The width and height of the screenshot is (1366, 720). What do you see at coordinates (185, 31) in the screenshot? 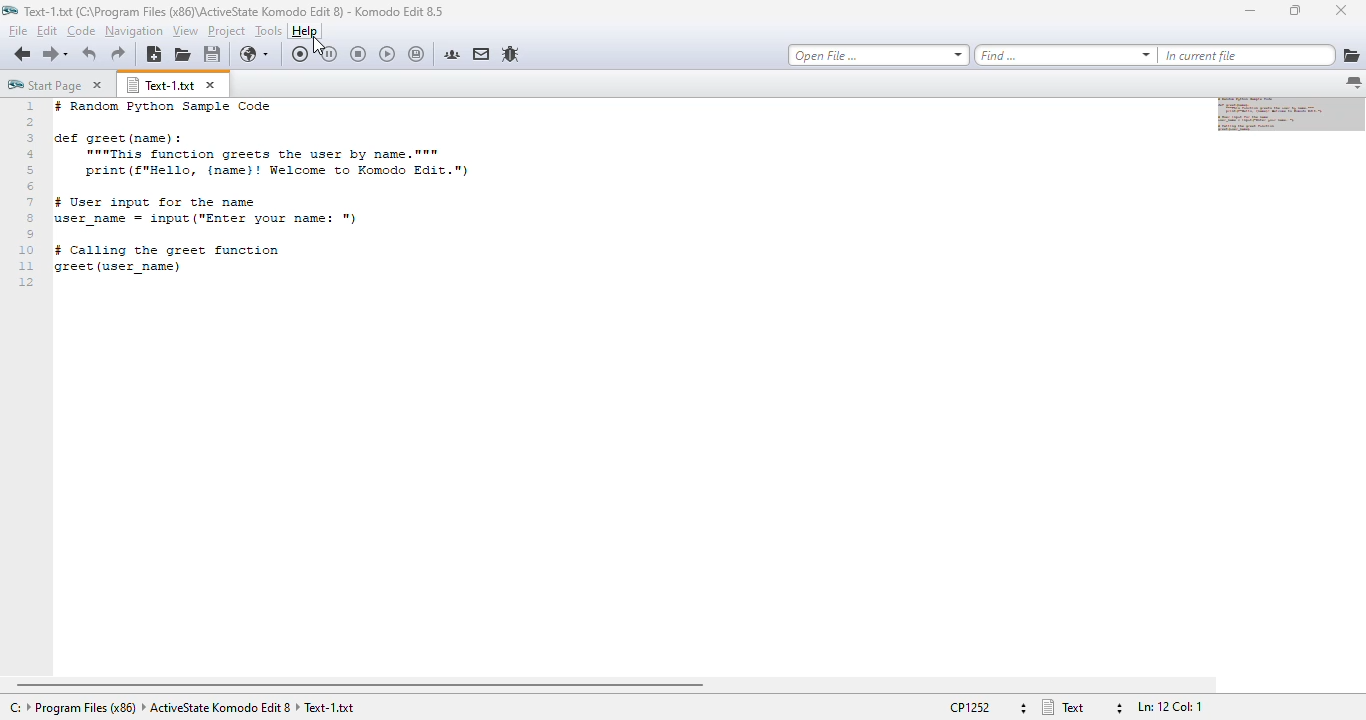
I see `view` at bounding box center [185, 31].